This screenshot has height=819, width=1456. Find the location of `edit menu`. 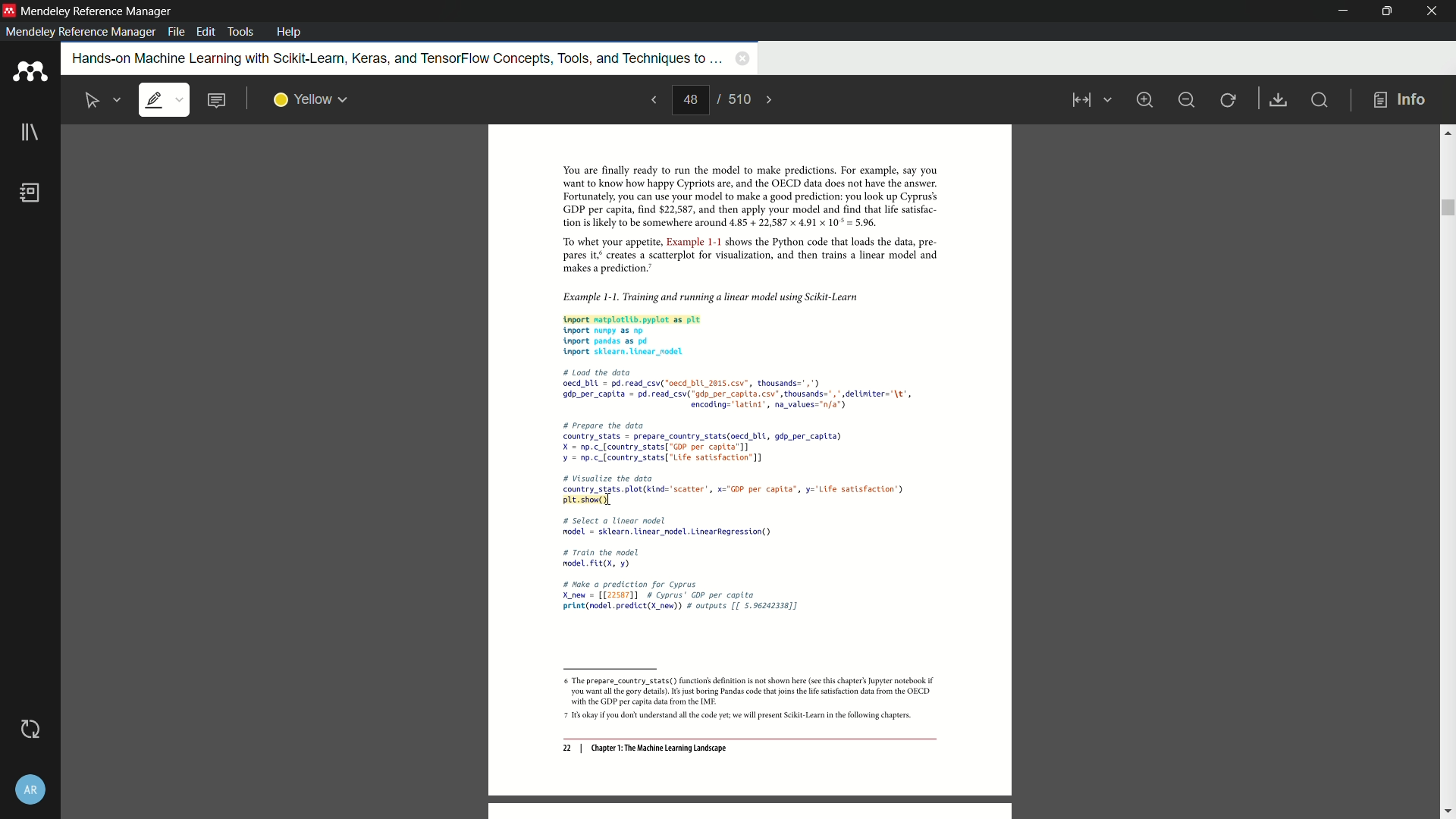

edit menu is located at coordinates (208, 32).